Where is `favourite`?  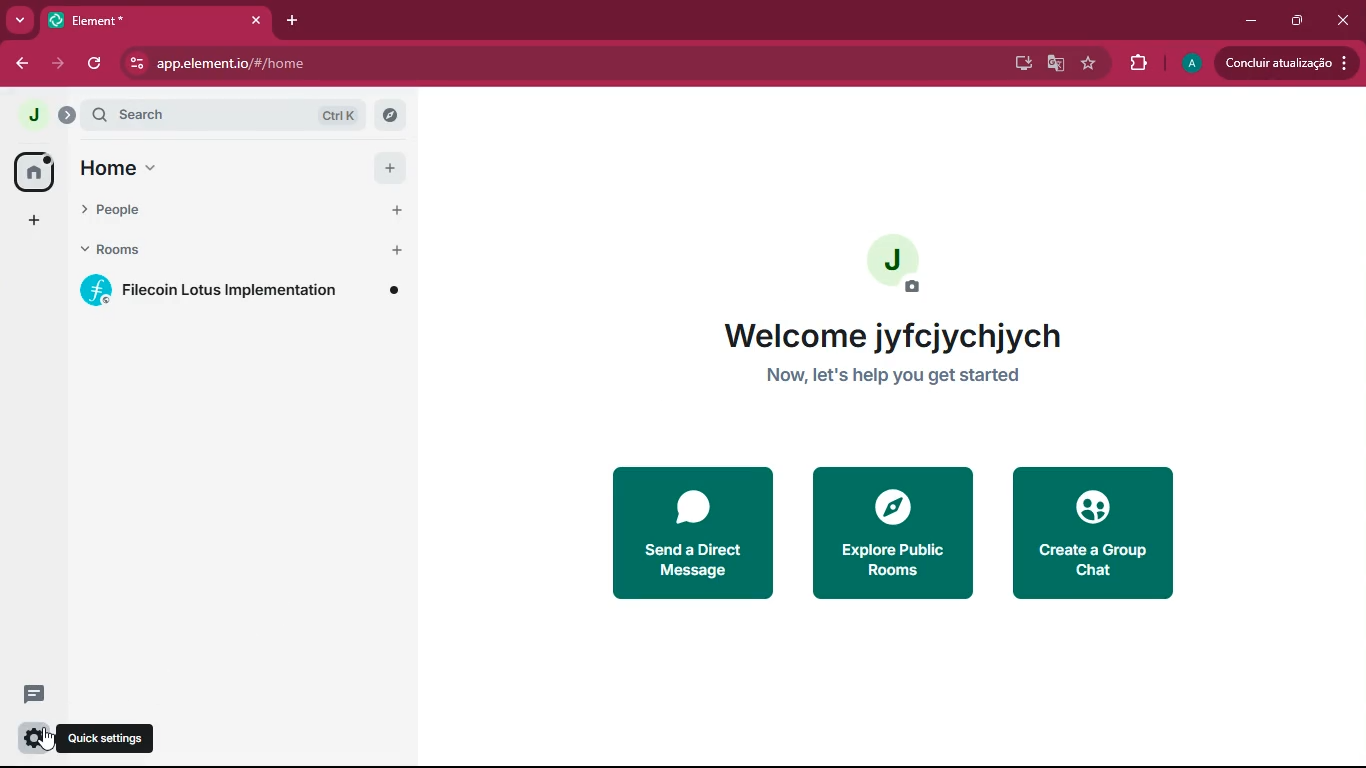 favourite is located at coordinates (1093, 66).